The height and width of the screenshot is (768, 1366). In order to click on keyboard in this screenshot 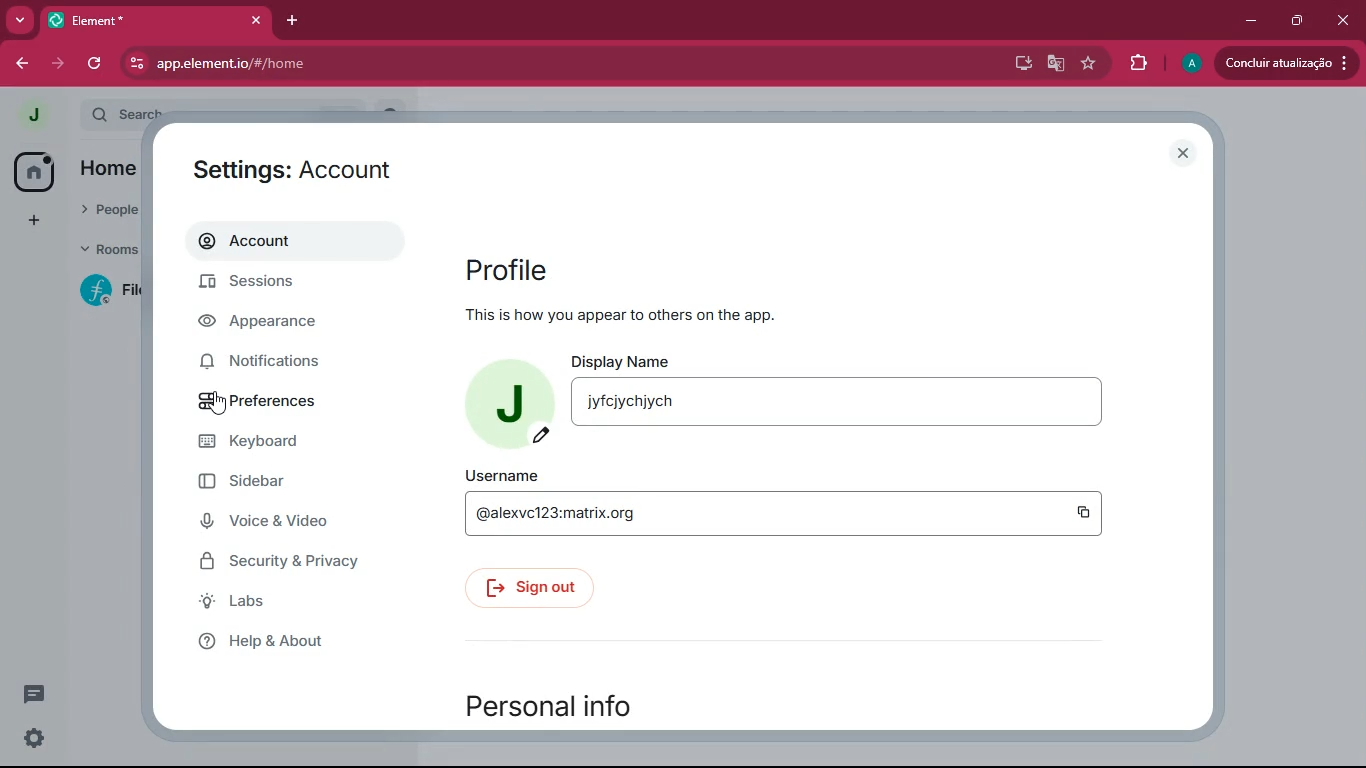, I will do `click(280, 445)`.